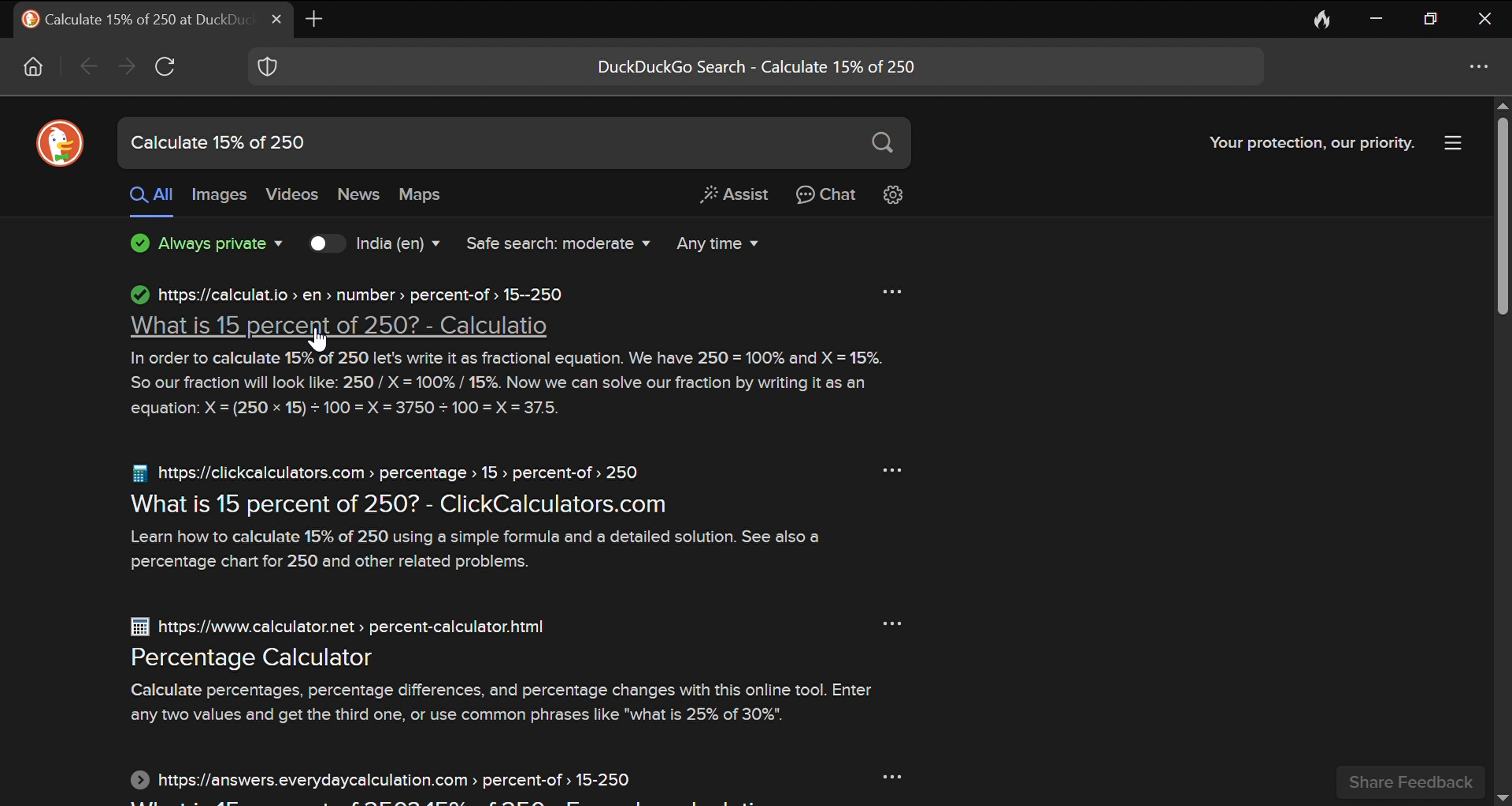 Image resolution: width=1512 pixels, height=806 pixels. What do you see at coordinates (166, 65) in the screenshot?
I see `Reload` at bounding box center [166, 65].